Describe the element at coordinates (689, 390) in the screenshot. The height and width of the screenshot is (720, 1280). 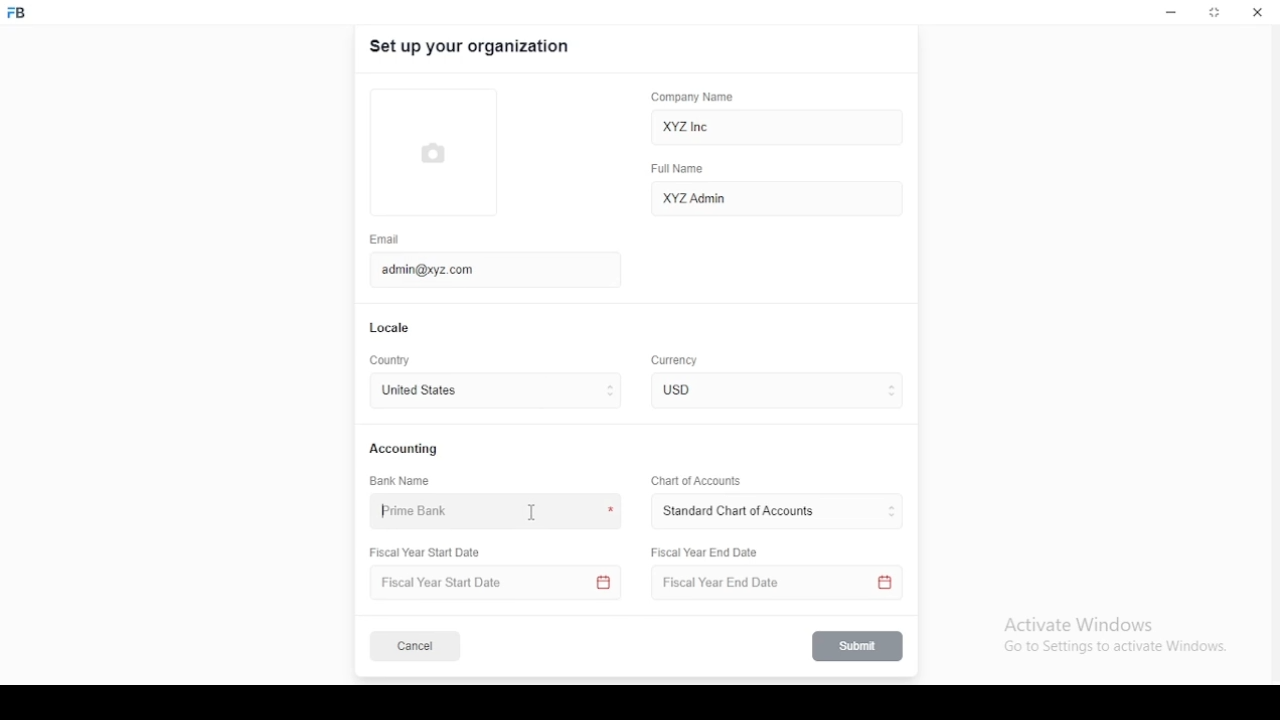
I see `currency` at that location.